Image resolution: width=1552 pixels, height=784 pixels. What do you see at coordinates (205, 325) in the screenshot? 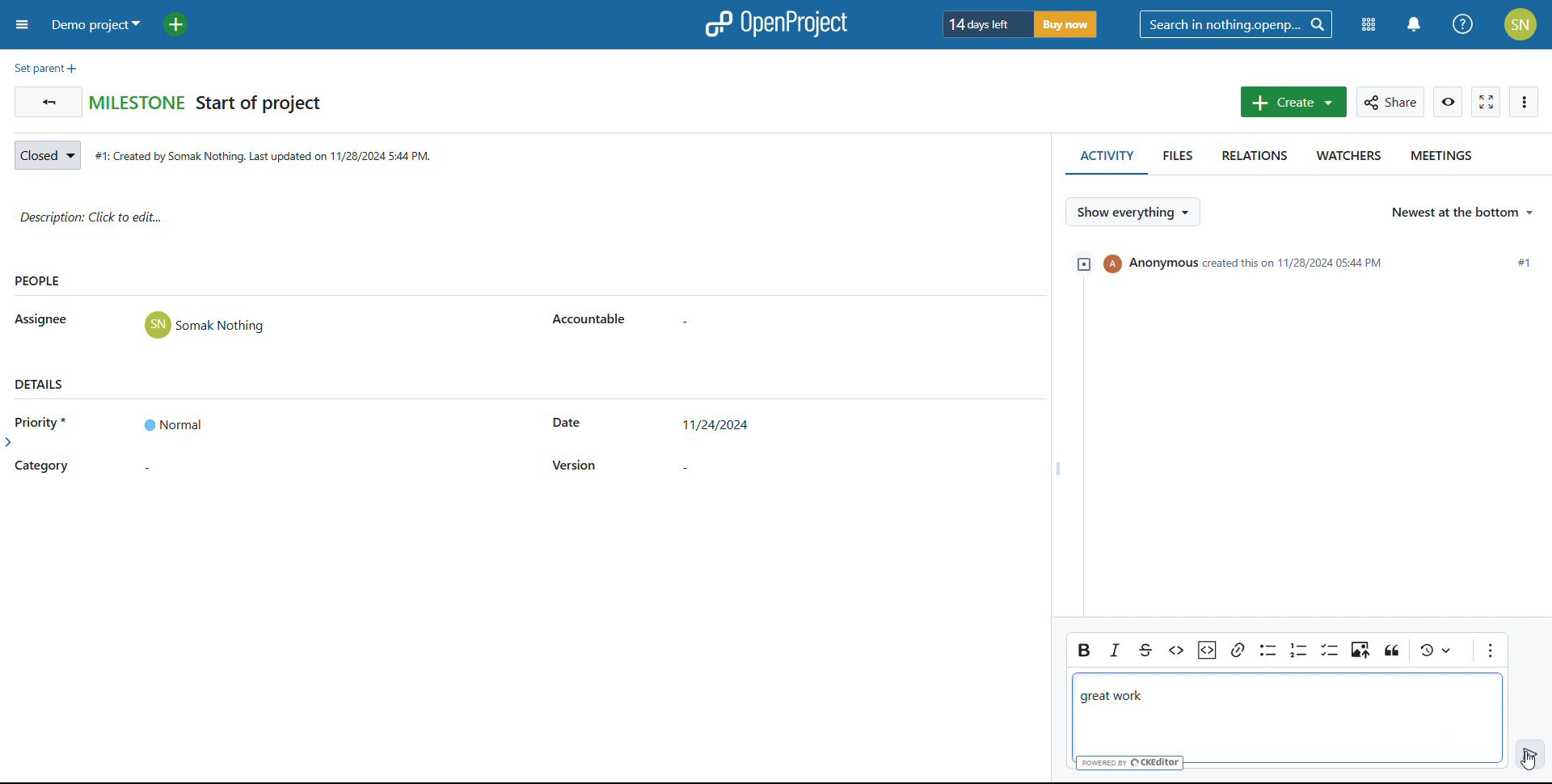
I see `user` at bounding box center [205, 325].